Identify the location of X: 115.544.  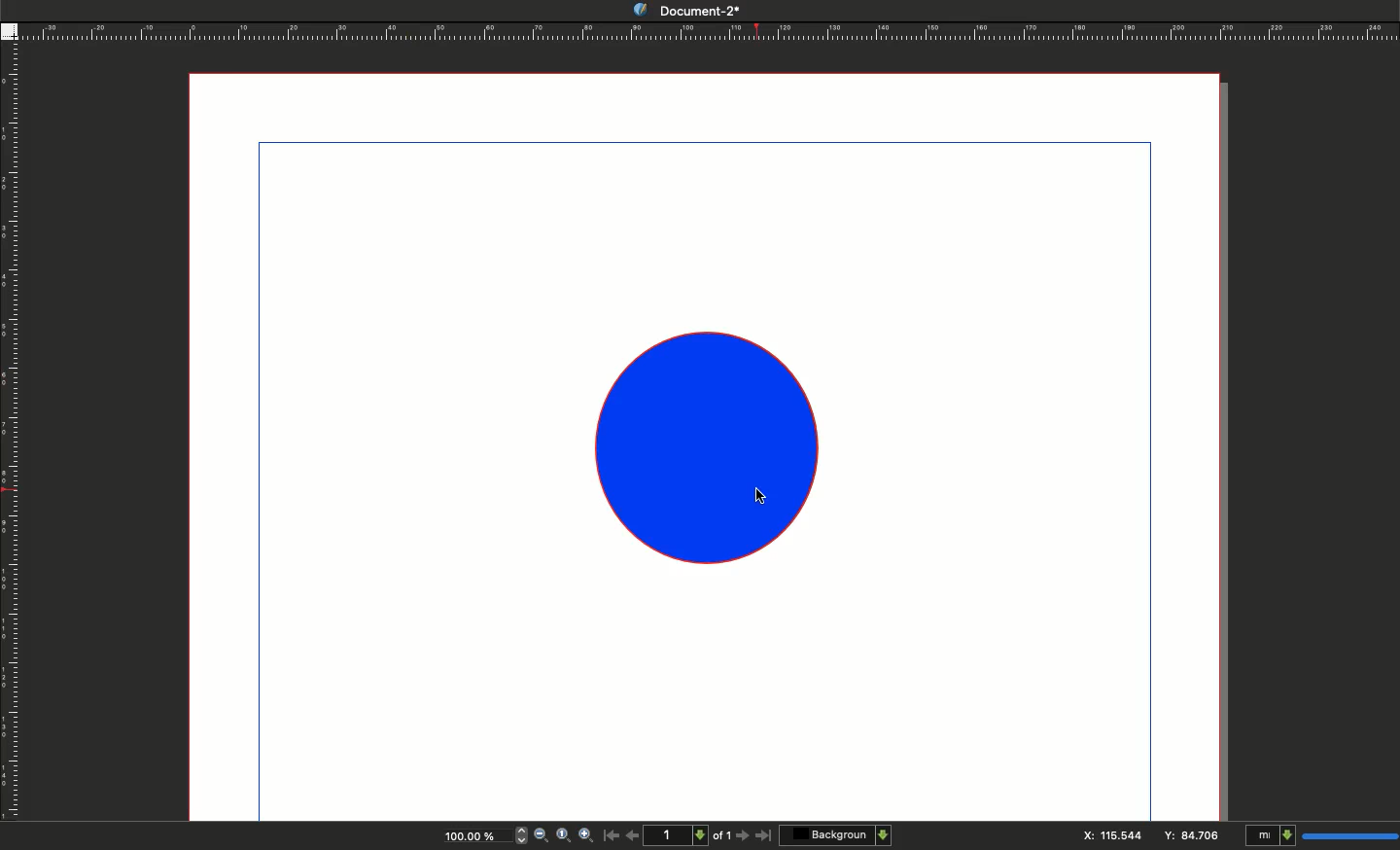
(1105, 835).